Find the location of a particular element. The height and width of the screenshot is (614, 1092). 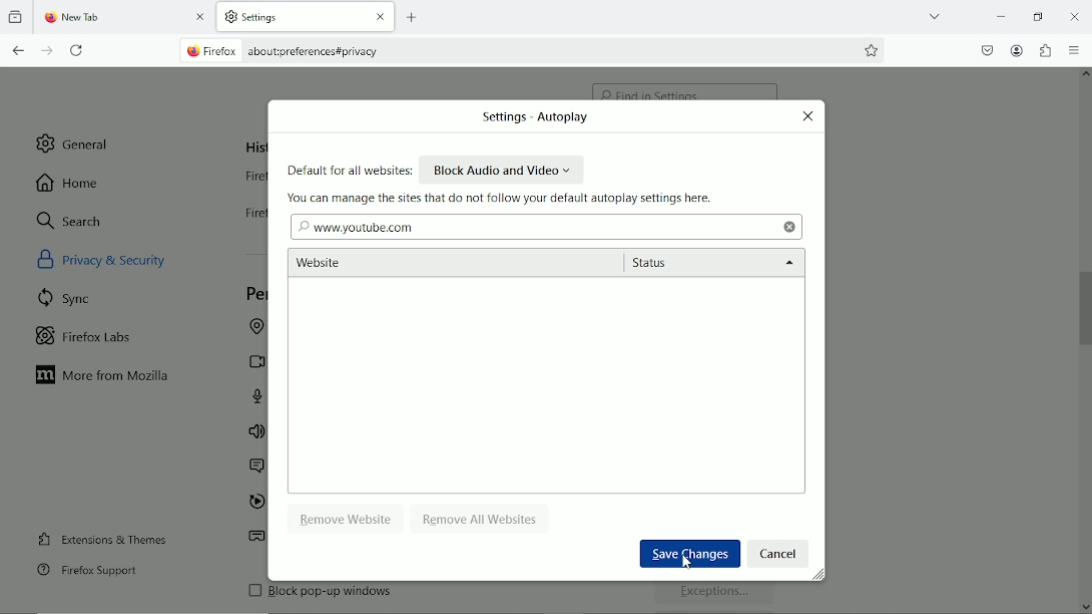

search is located at coordinates (70, 220).